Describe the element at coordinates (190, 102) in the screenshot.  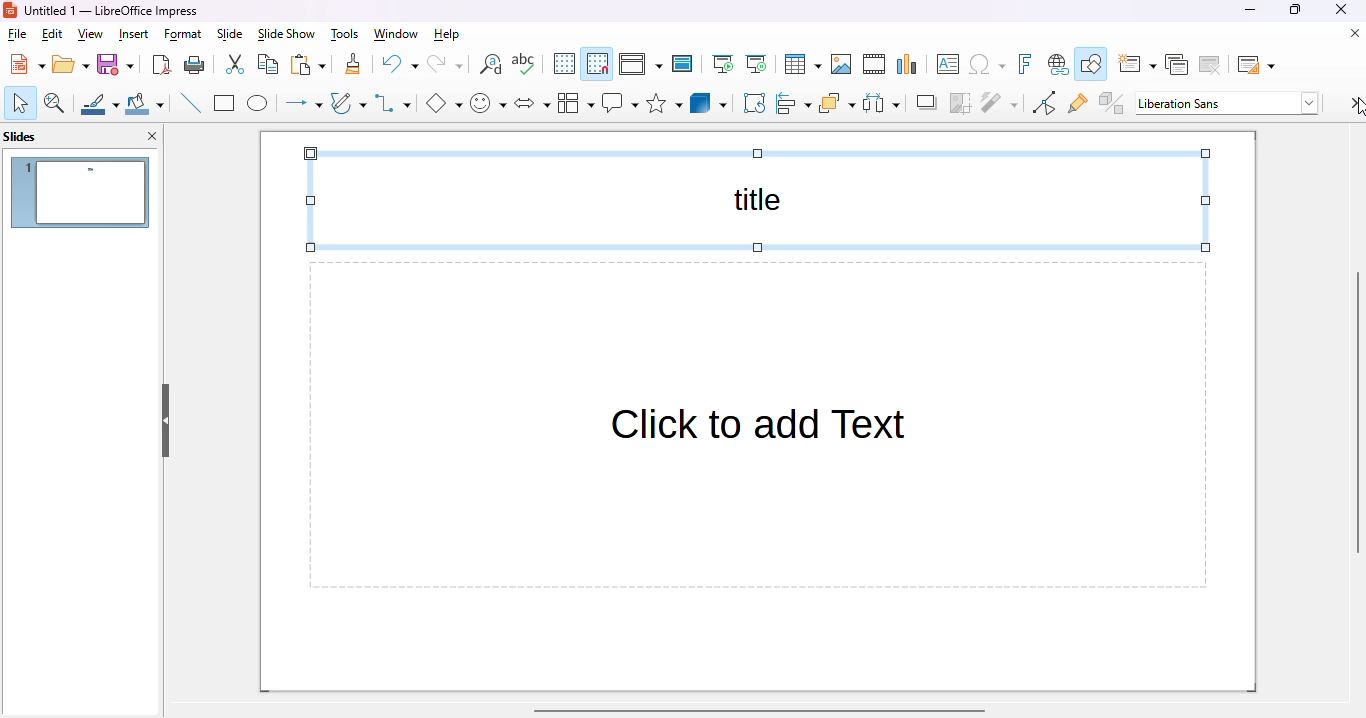
I see `insert line` at that location.